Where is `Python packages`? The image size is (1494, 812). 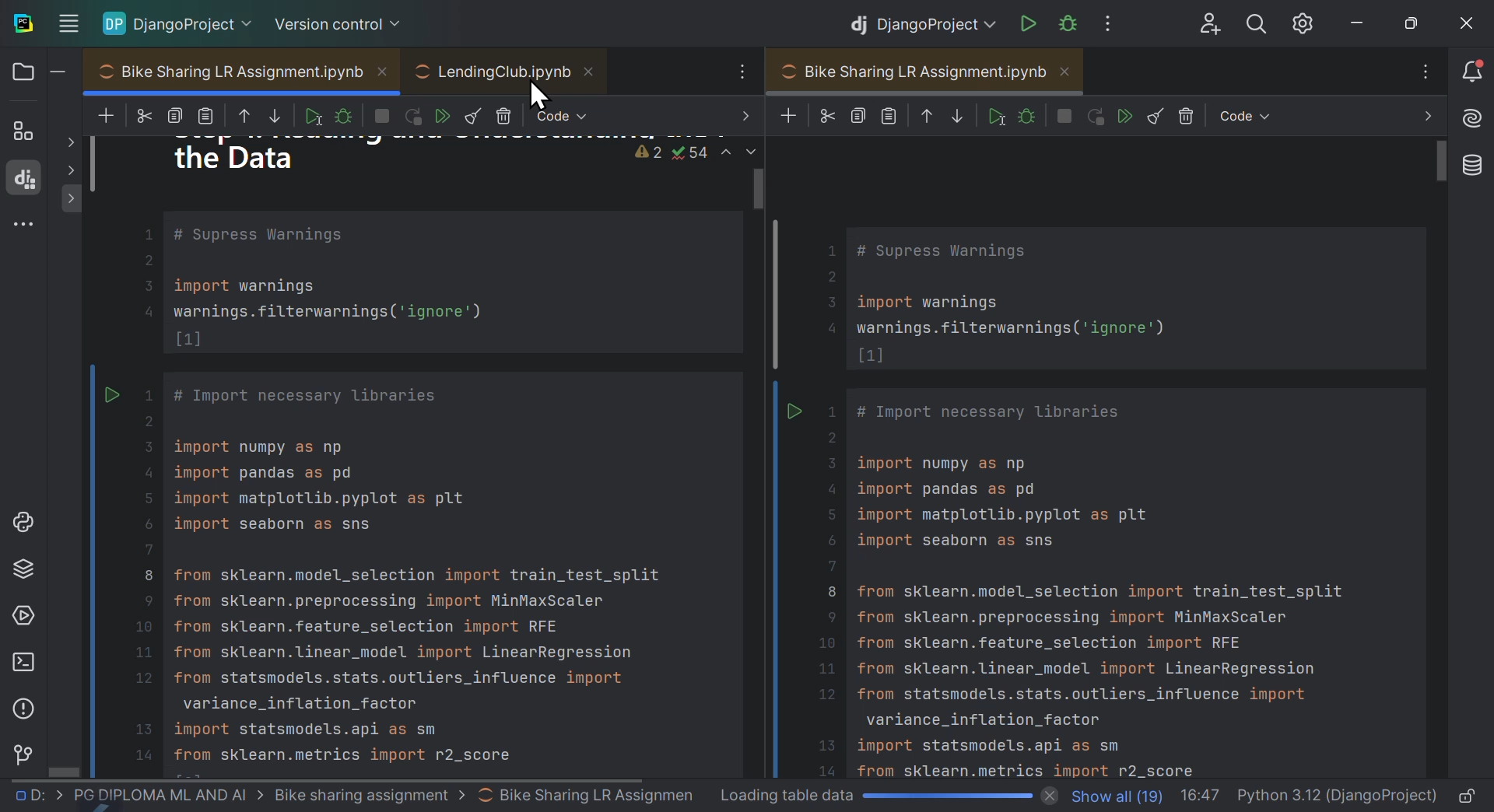 Python packages is located at coordinates (22, 573).